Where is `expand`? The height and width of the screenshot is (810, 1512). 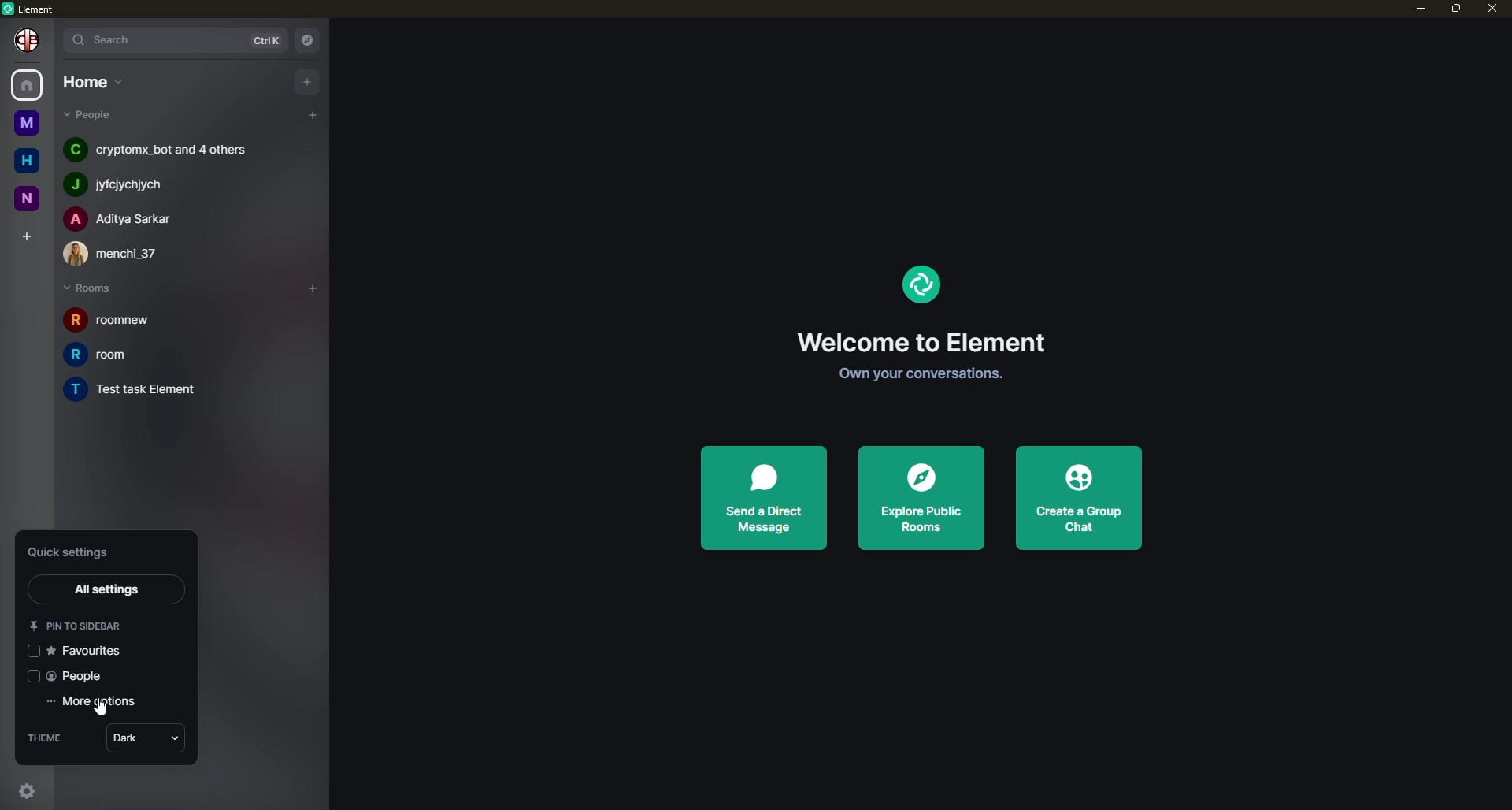
expand is located at coordinates (54, 38).